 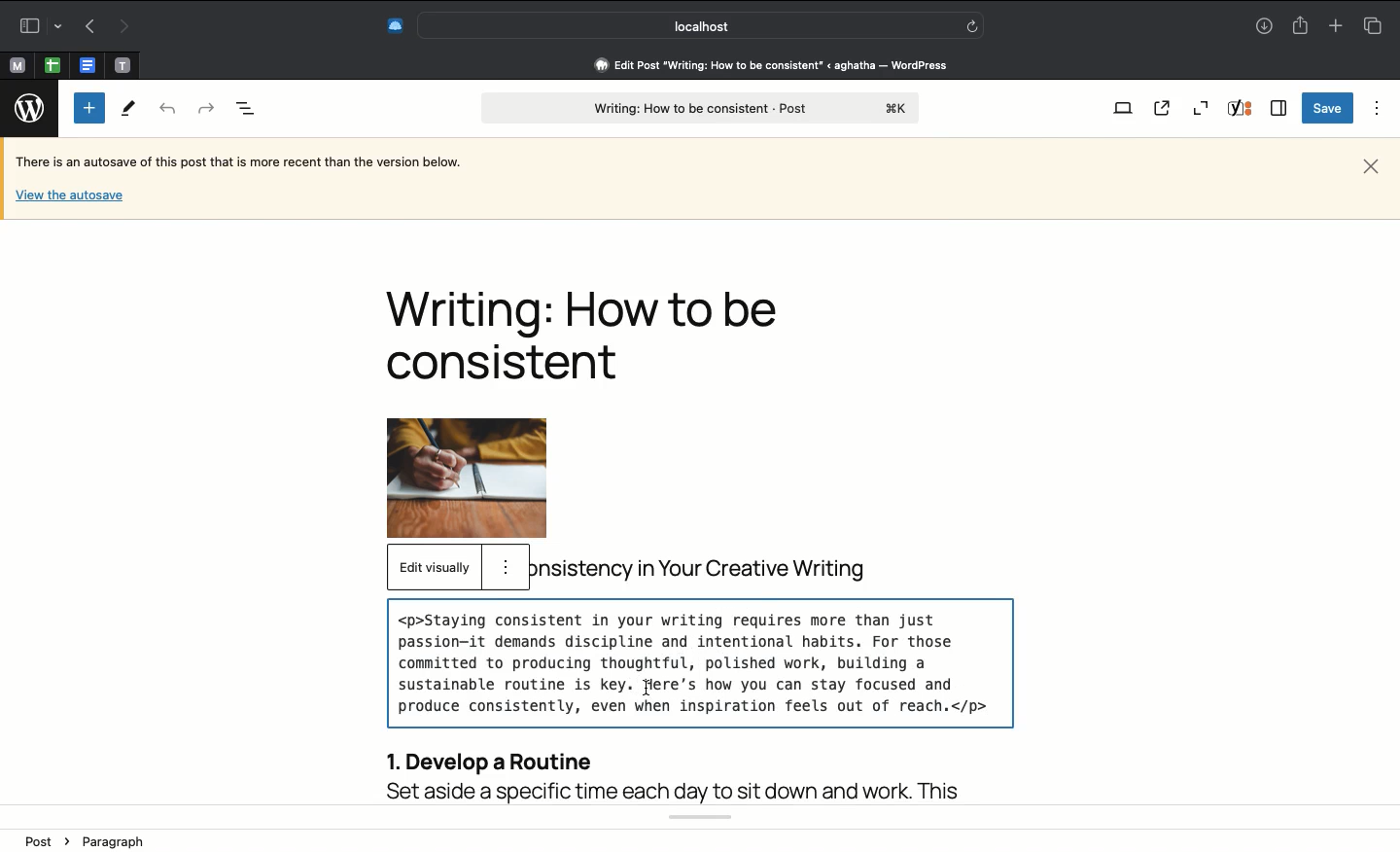 I want to click on Redo, so click(x=205, y=106).